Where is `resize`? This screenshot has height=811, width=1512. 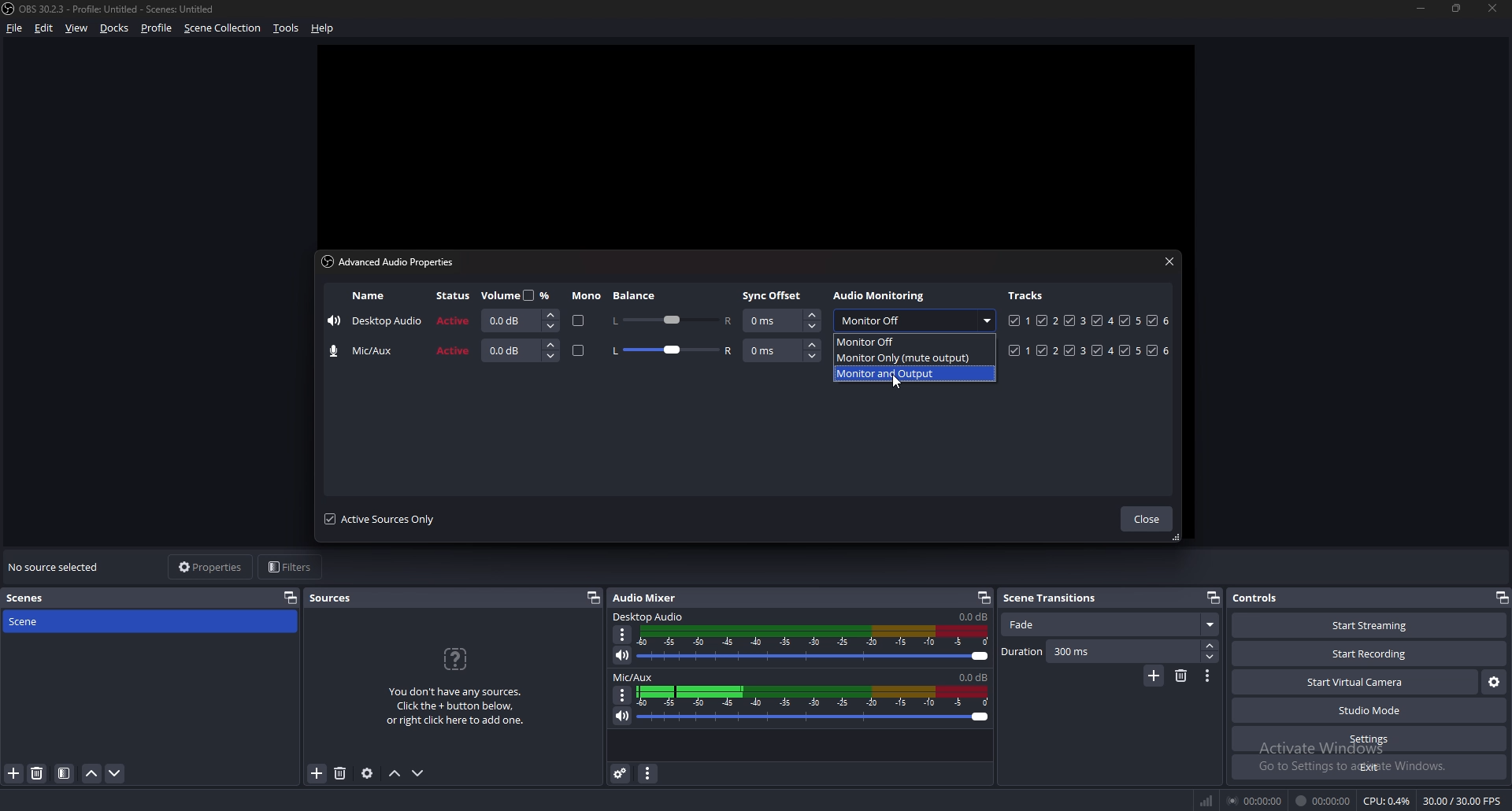 resize is located at coordinates (1459, 9).